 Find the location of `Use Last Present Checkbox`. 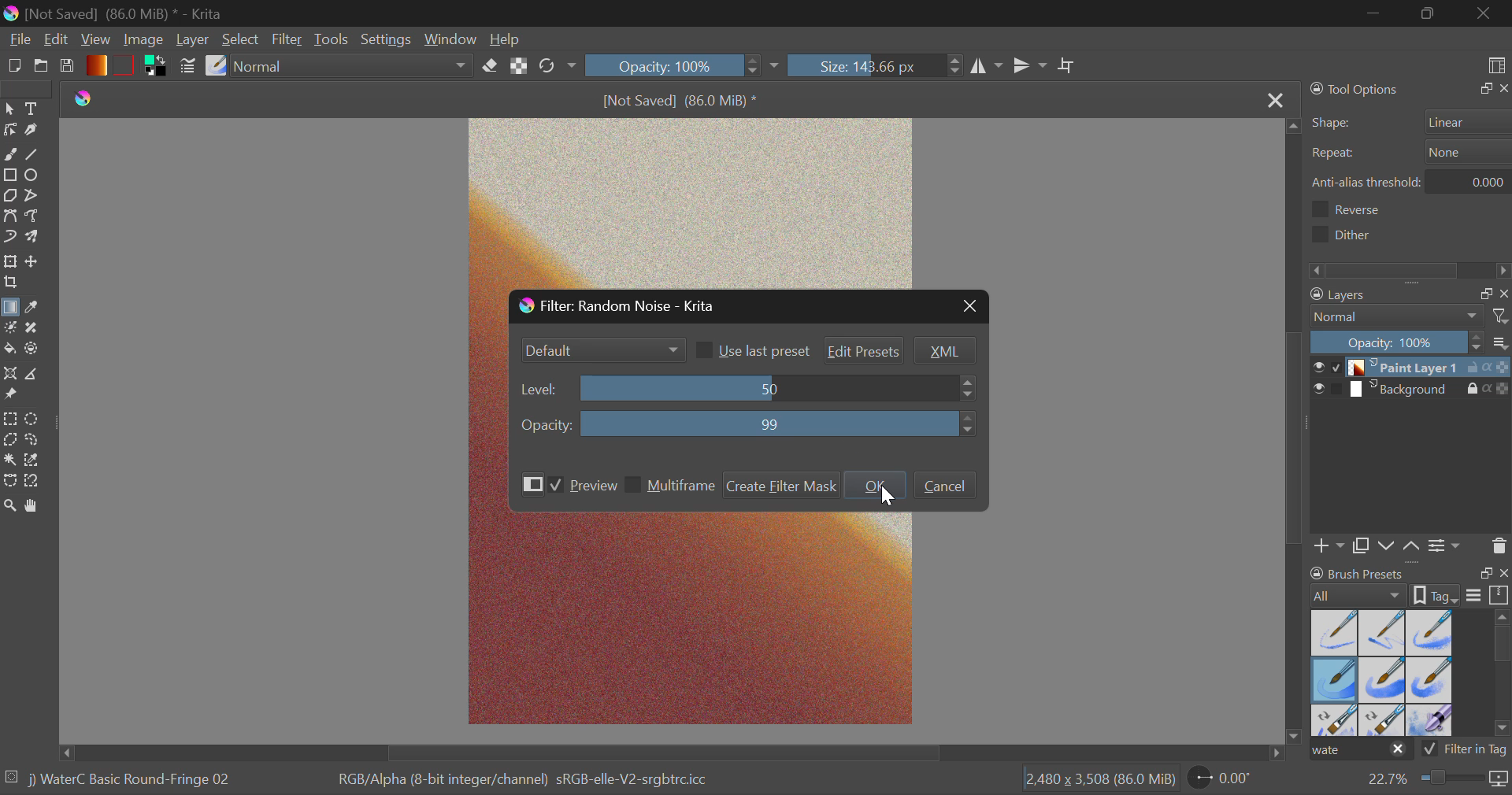

Use Last Present Checkbox is located at coordinates (753, 349).